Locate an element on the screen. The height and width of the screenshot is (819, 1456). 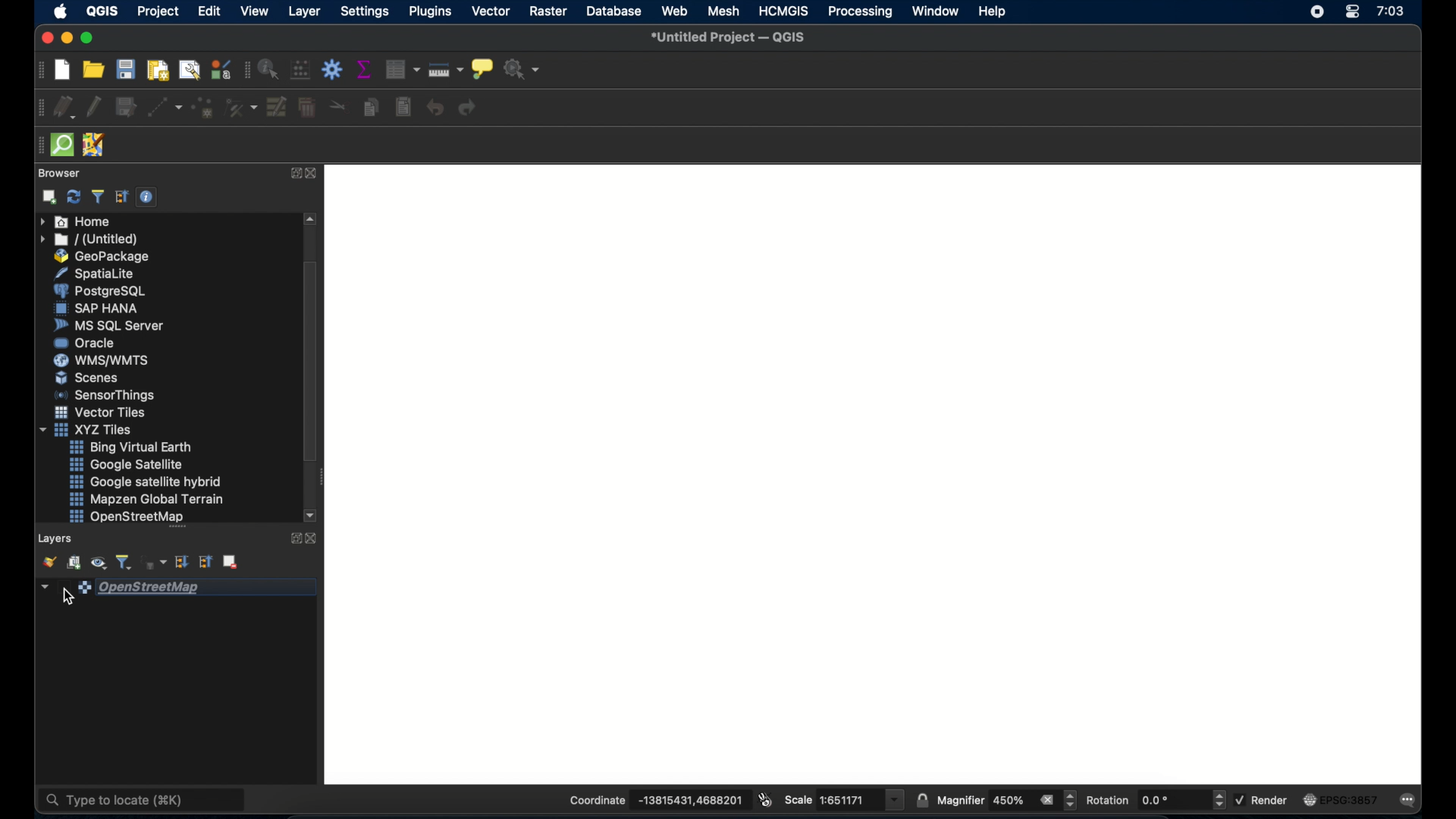
messages is located at coordinates (1410, 802).